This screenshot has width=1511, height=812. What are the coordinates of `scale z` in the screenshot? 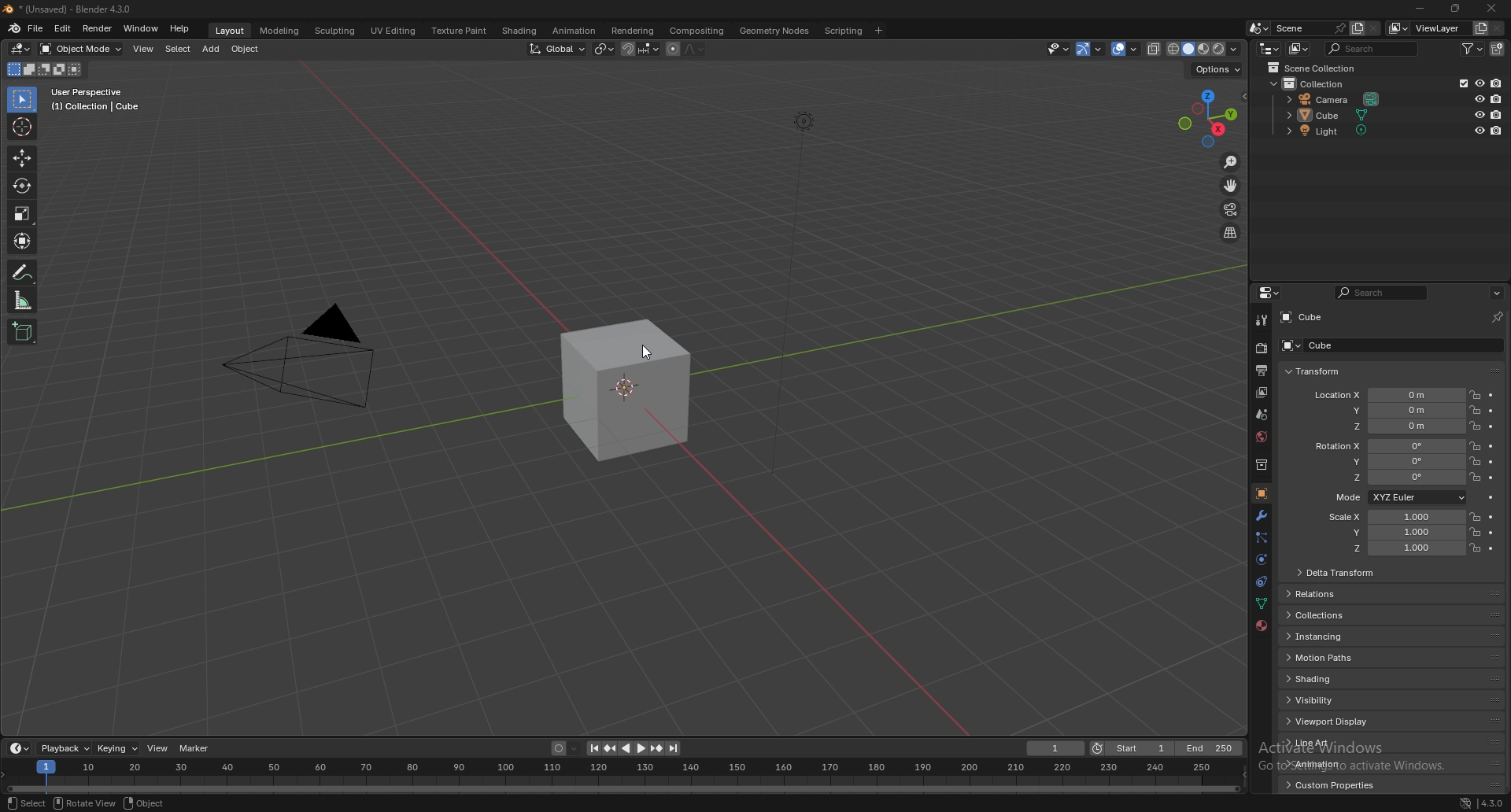 It's located at (1395, 548).